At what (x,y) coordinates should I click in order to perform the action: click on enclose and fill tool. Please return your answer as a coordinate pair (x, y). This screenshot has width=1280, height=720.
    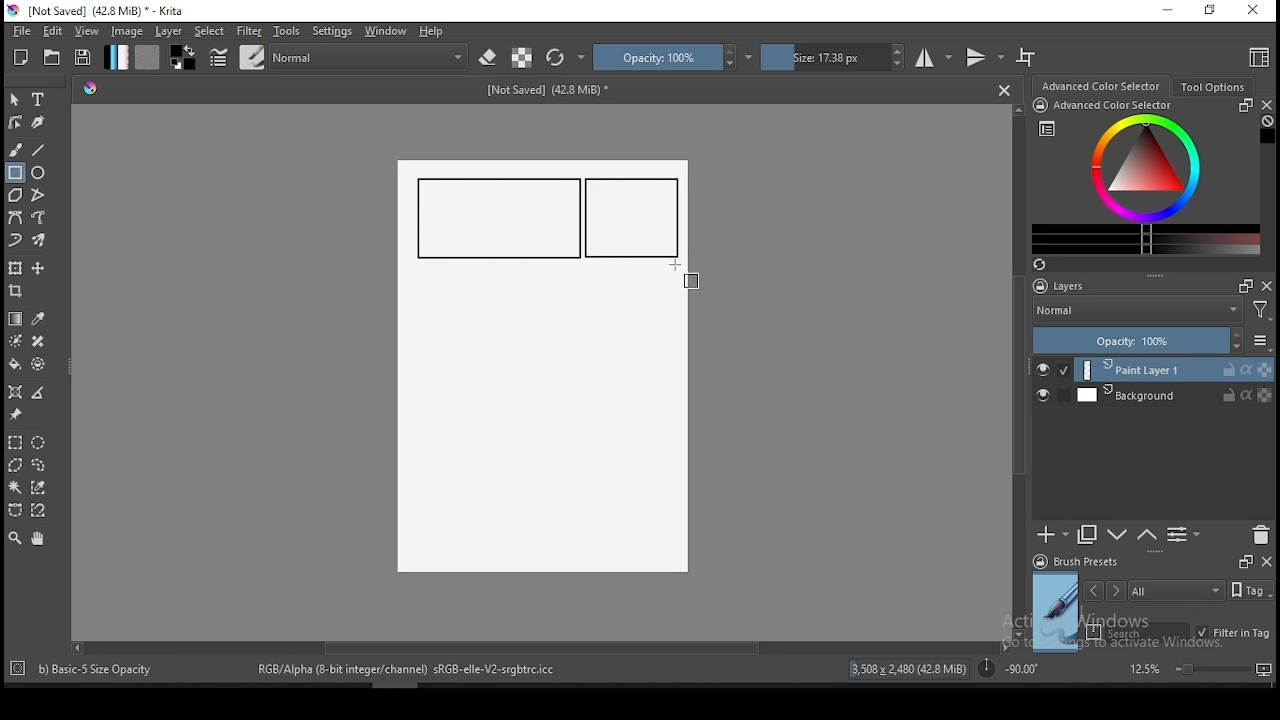
    Looking at the image, I should click on (38, 364).